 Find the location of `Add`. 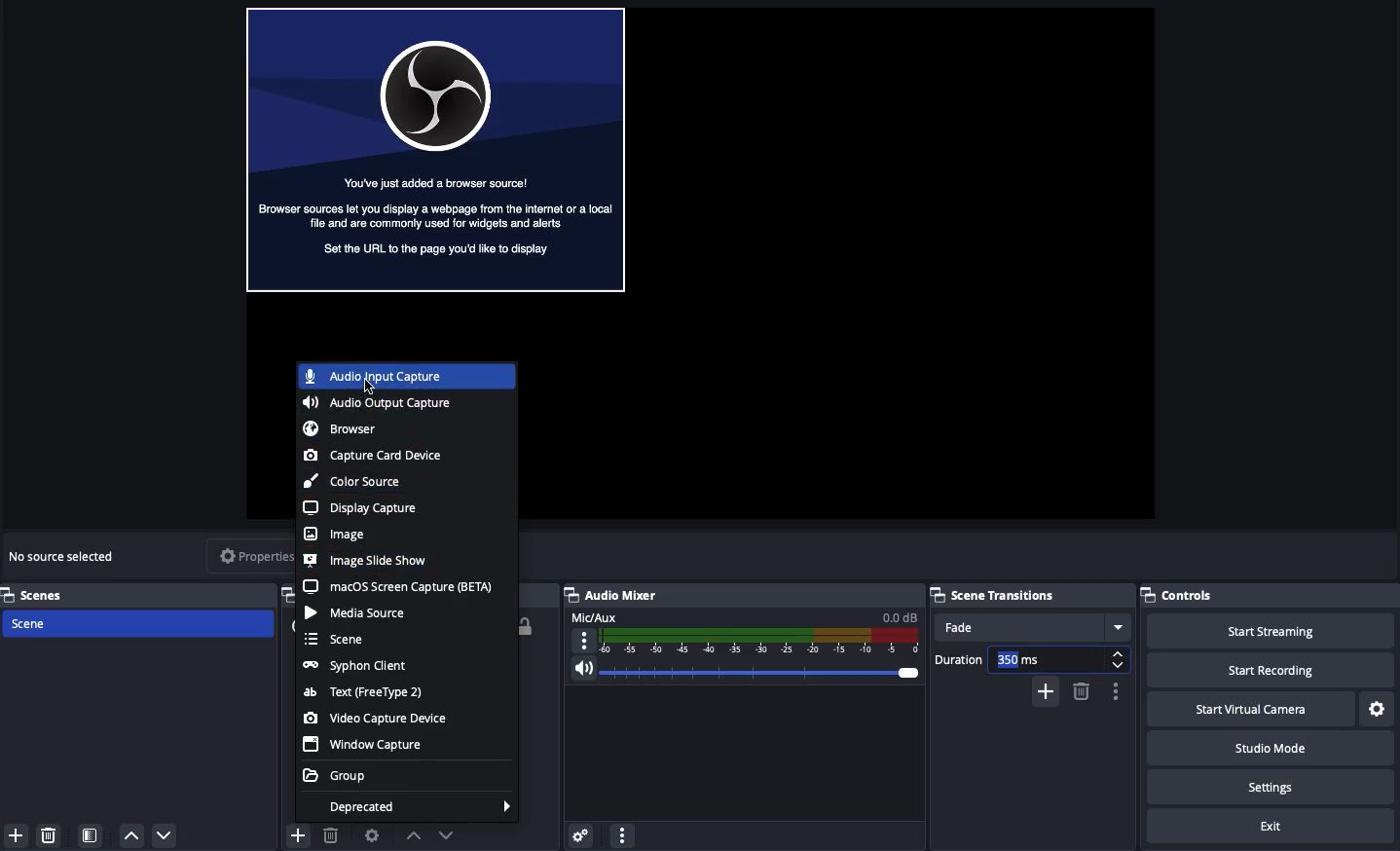

Add is located at coordinates (16, 835).